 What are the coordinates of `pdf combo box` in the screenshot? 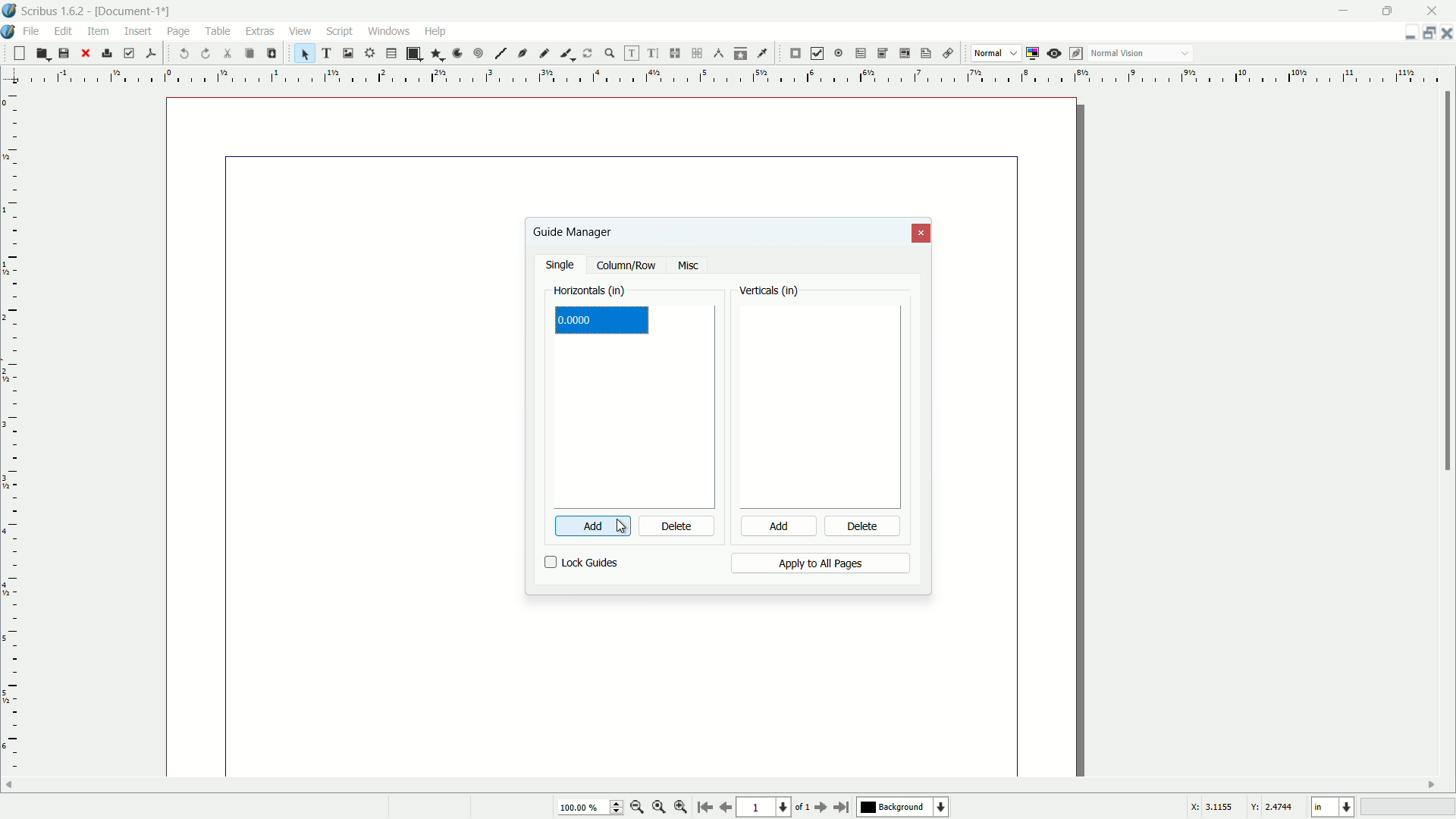 It's located at (881, 52).